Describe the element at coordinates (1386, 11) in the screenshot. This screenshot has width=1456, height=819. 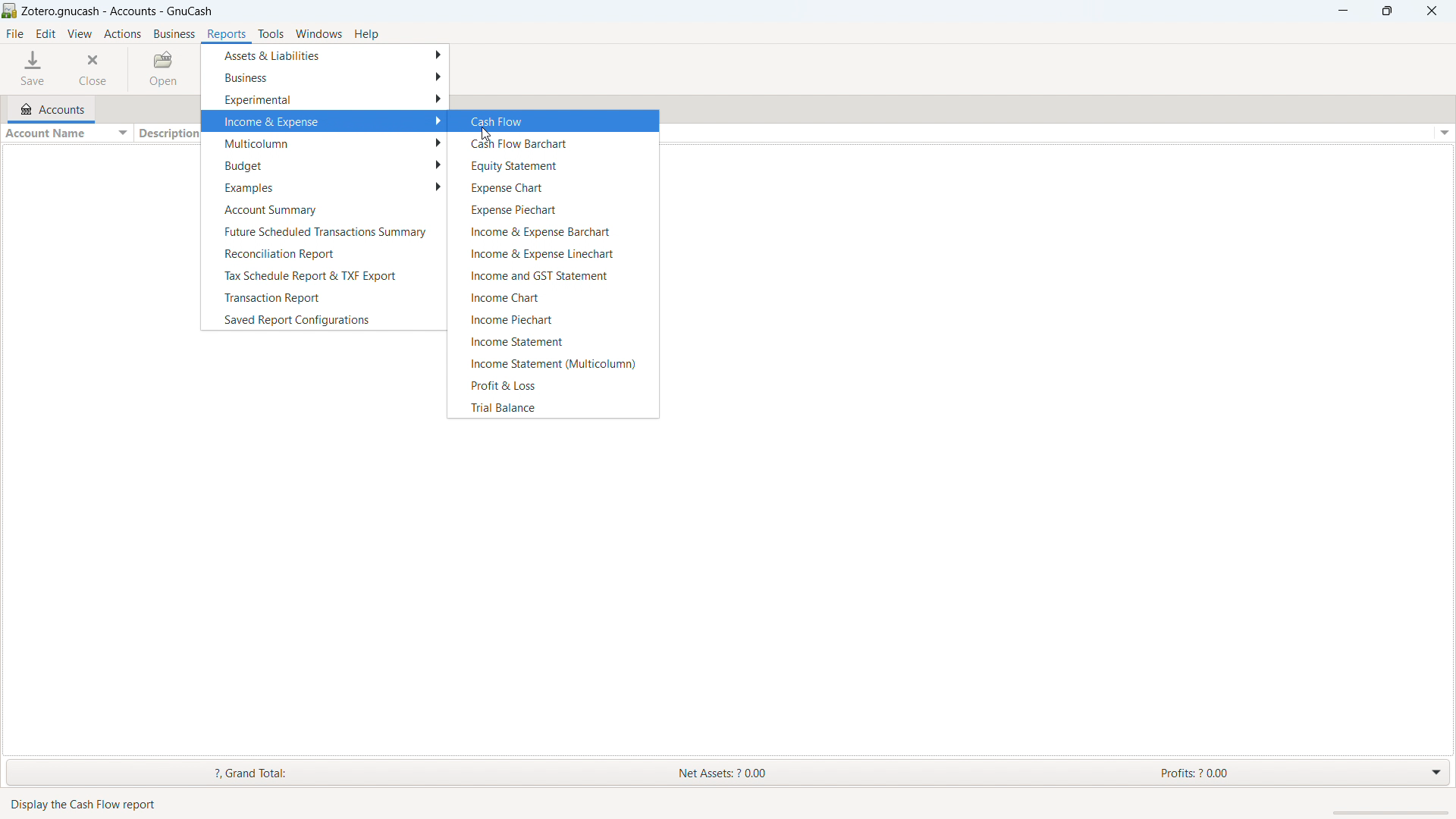
I see `maximize` at that location.